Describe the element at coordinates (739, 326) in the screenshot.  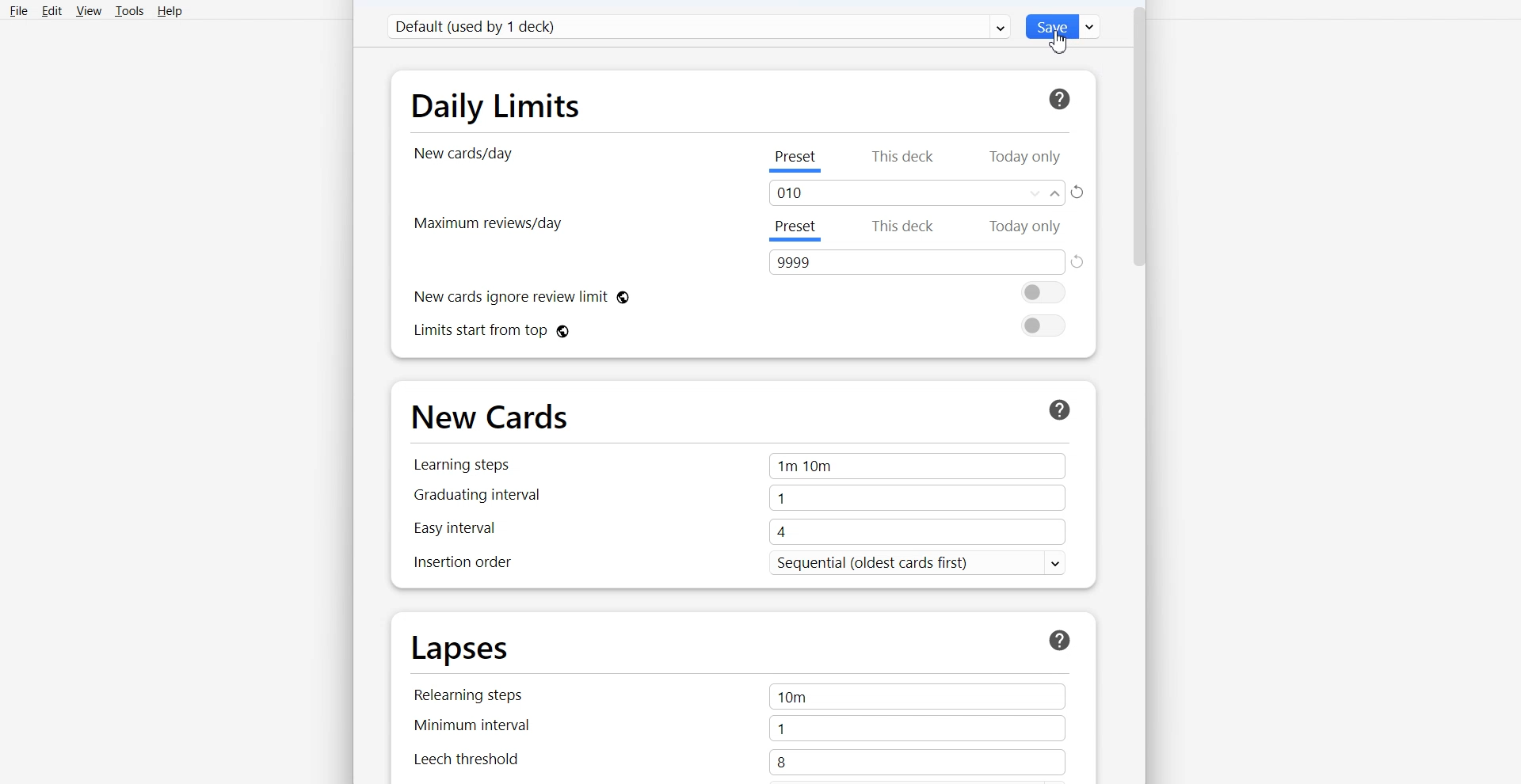
I see `Limits start from top` at that location.